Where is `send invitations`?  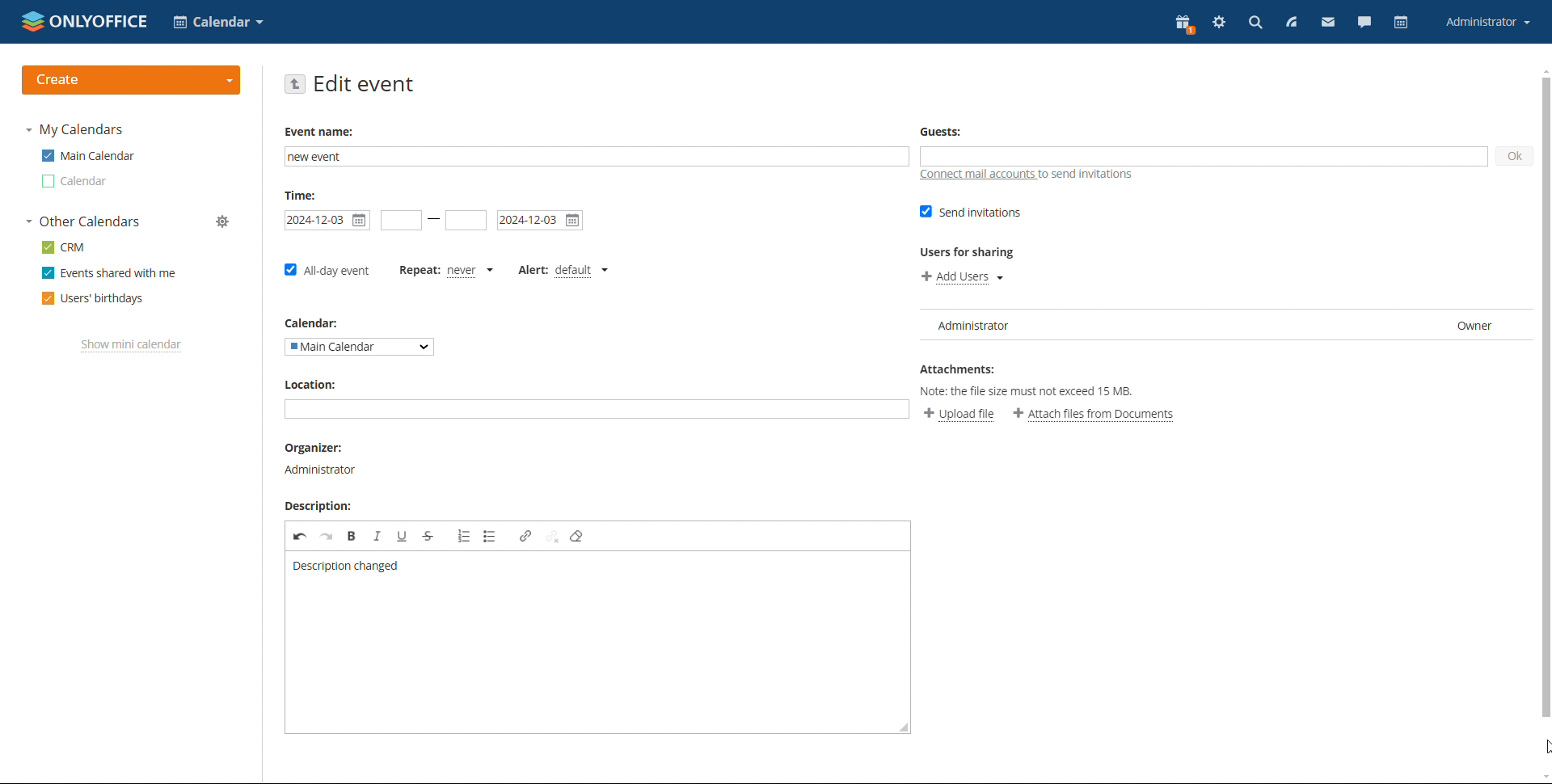
send invitations is located at coordinates (972, 213).